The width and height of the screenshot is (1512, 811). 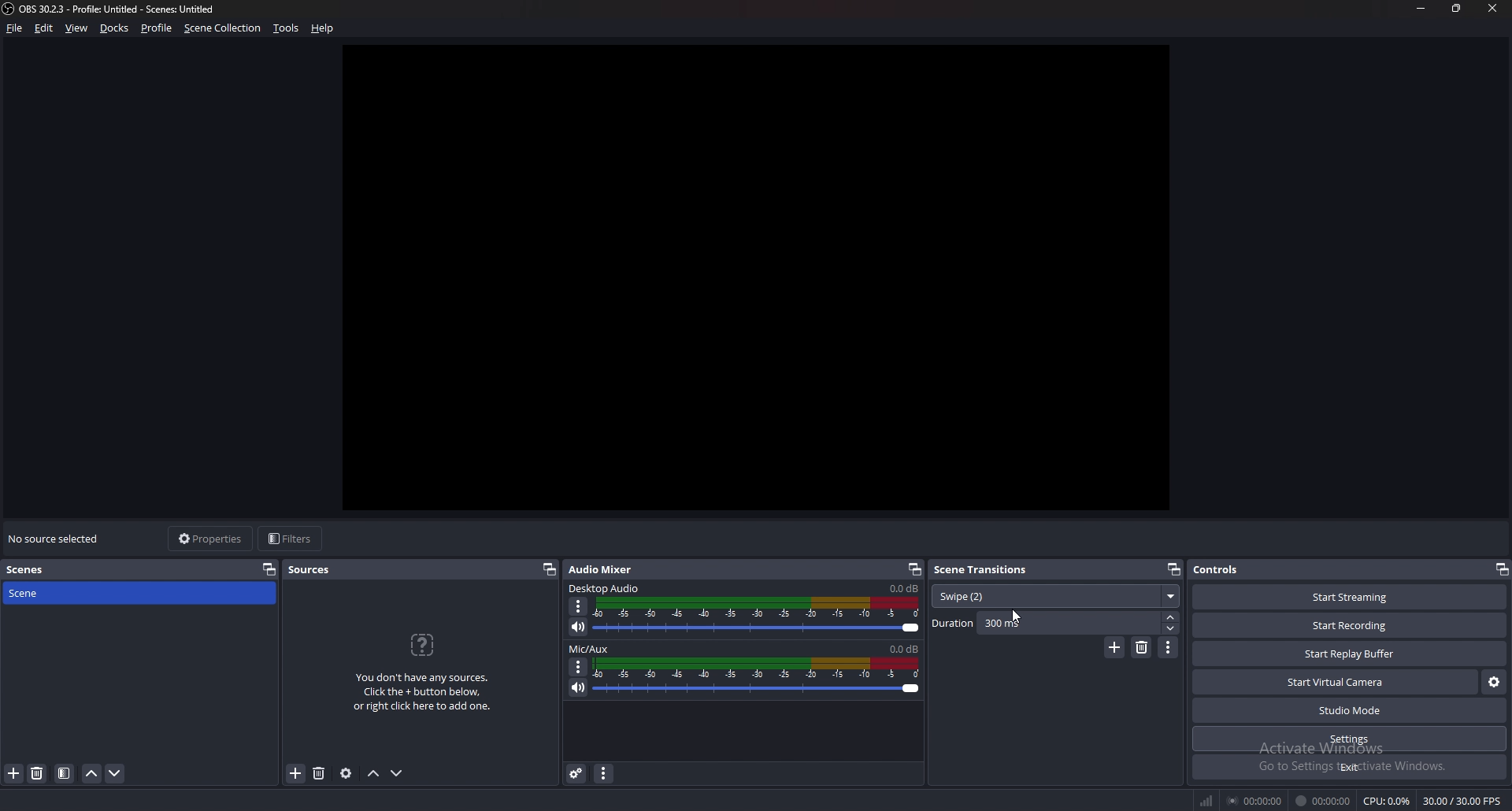 What do you see at coordinates (1055, 597) in the screenshot?
I see `swipe` at bounding box center [1055, 597].